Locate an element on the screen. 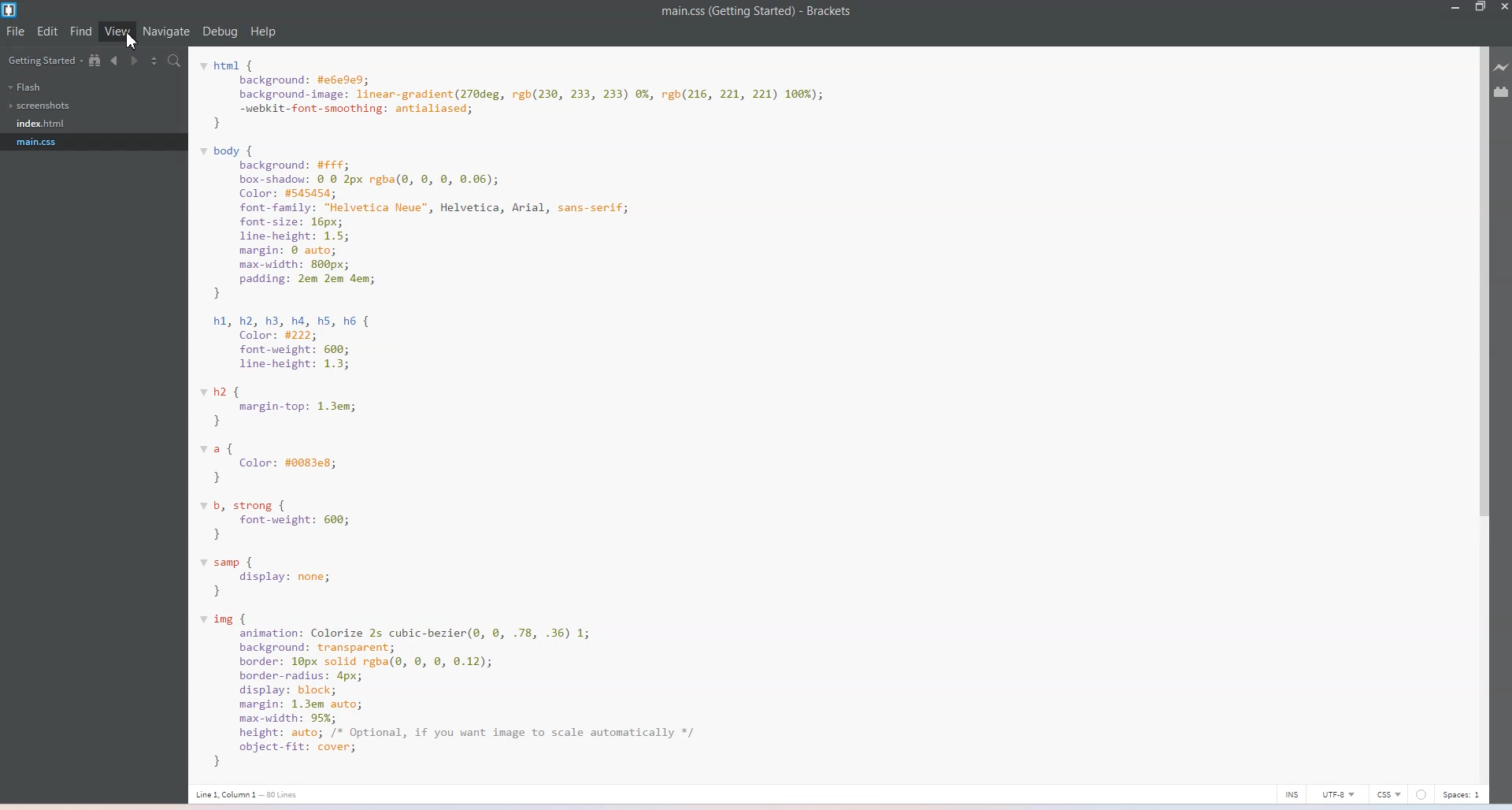  Live Preview is located at coordinates (1502, 66).